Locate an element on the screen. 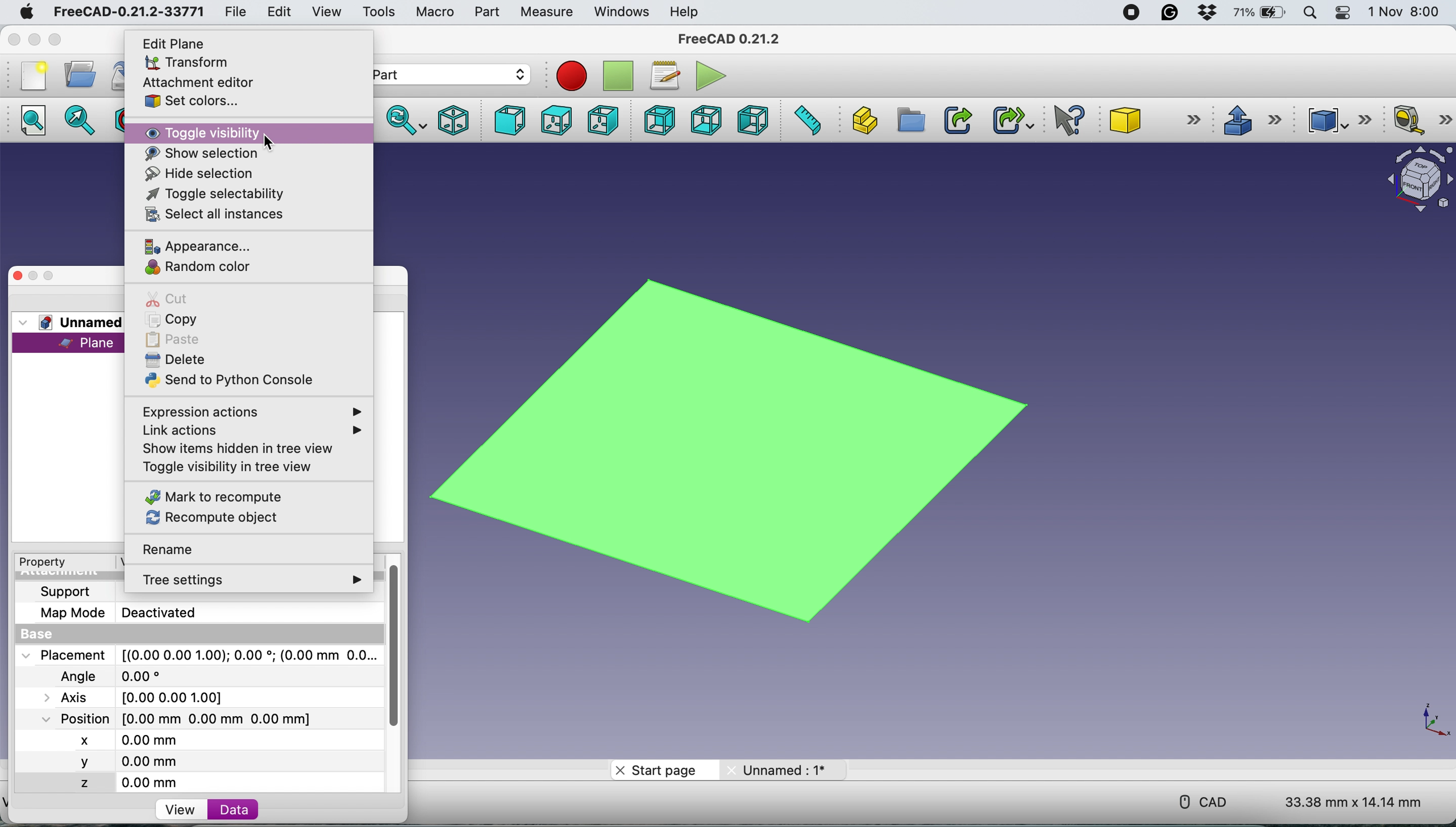 This screenshot has height=827, width=1456. Property is located at coordinates (45, 555).